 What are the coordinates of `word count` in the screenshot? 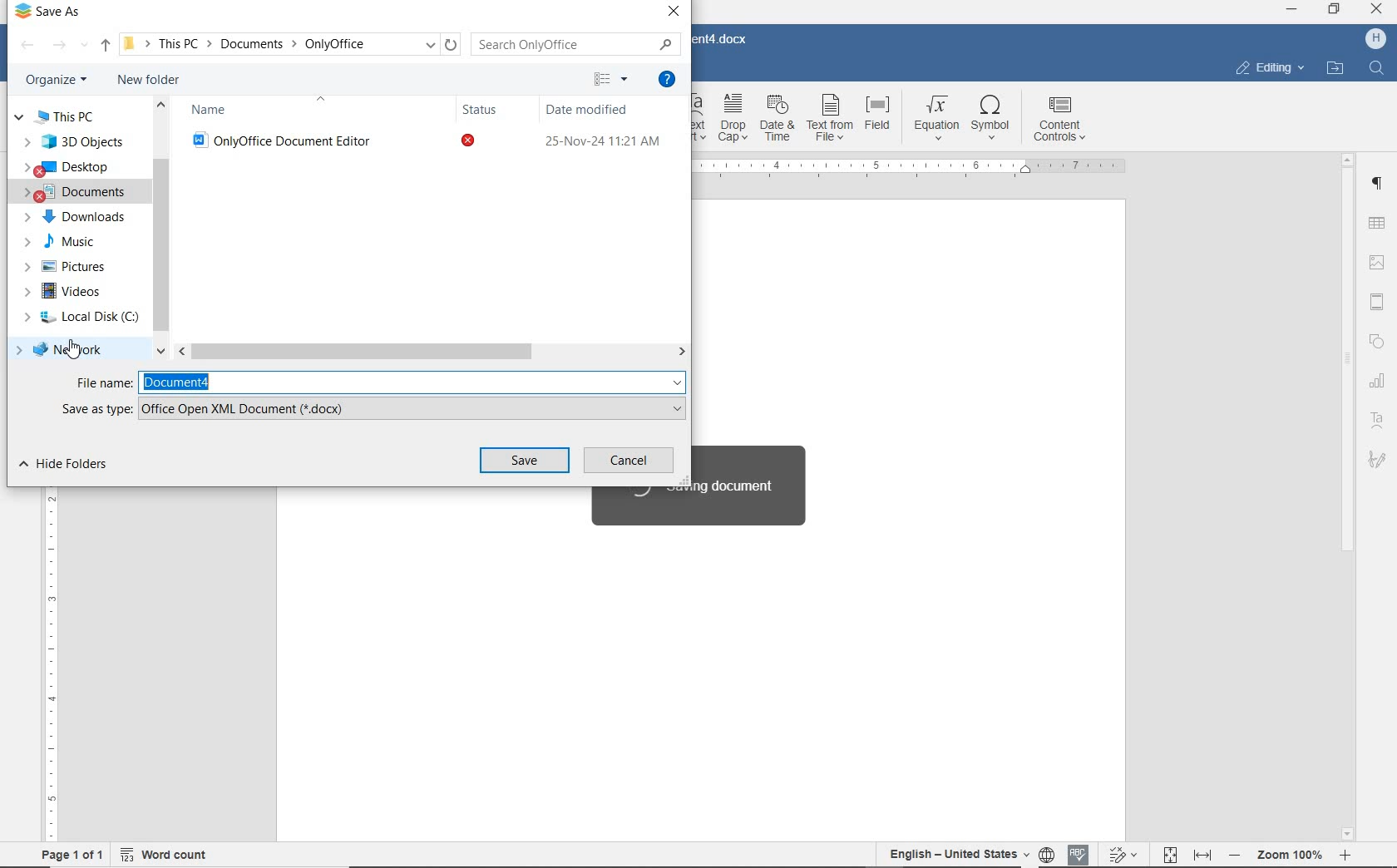 It's located at (164, 856).